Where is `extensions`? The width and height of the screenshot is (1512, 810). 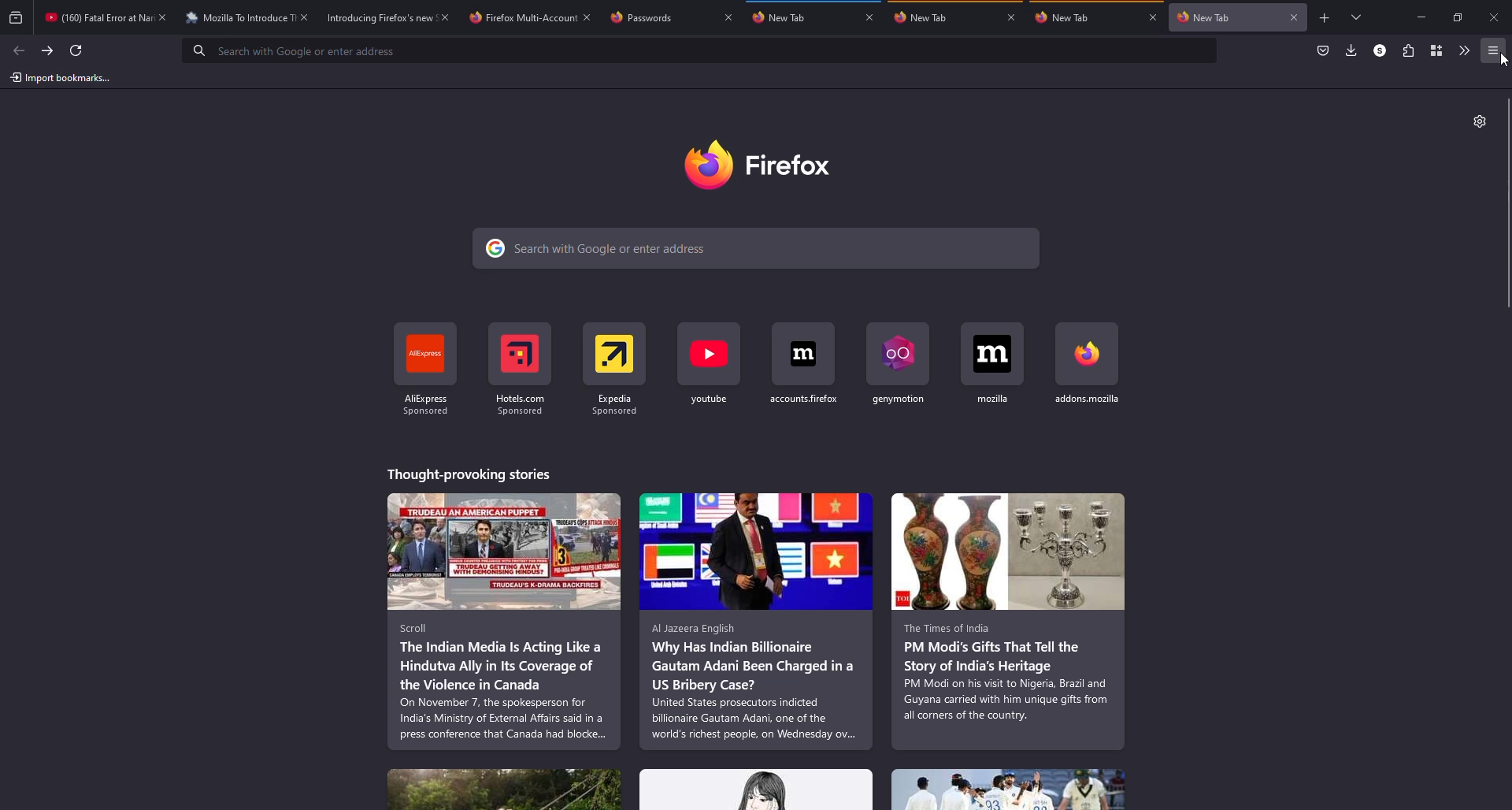 extensions is located at coordinates (1406, 50).